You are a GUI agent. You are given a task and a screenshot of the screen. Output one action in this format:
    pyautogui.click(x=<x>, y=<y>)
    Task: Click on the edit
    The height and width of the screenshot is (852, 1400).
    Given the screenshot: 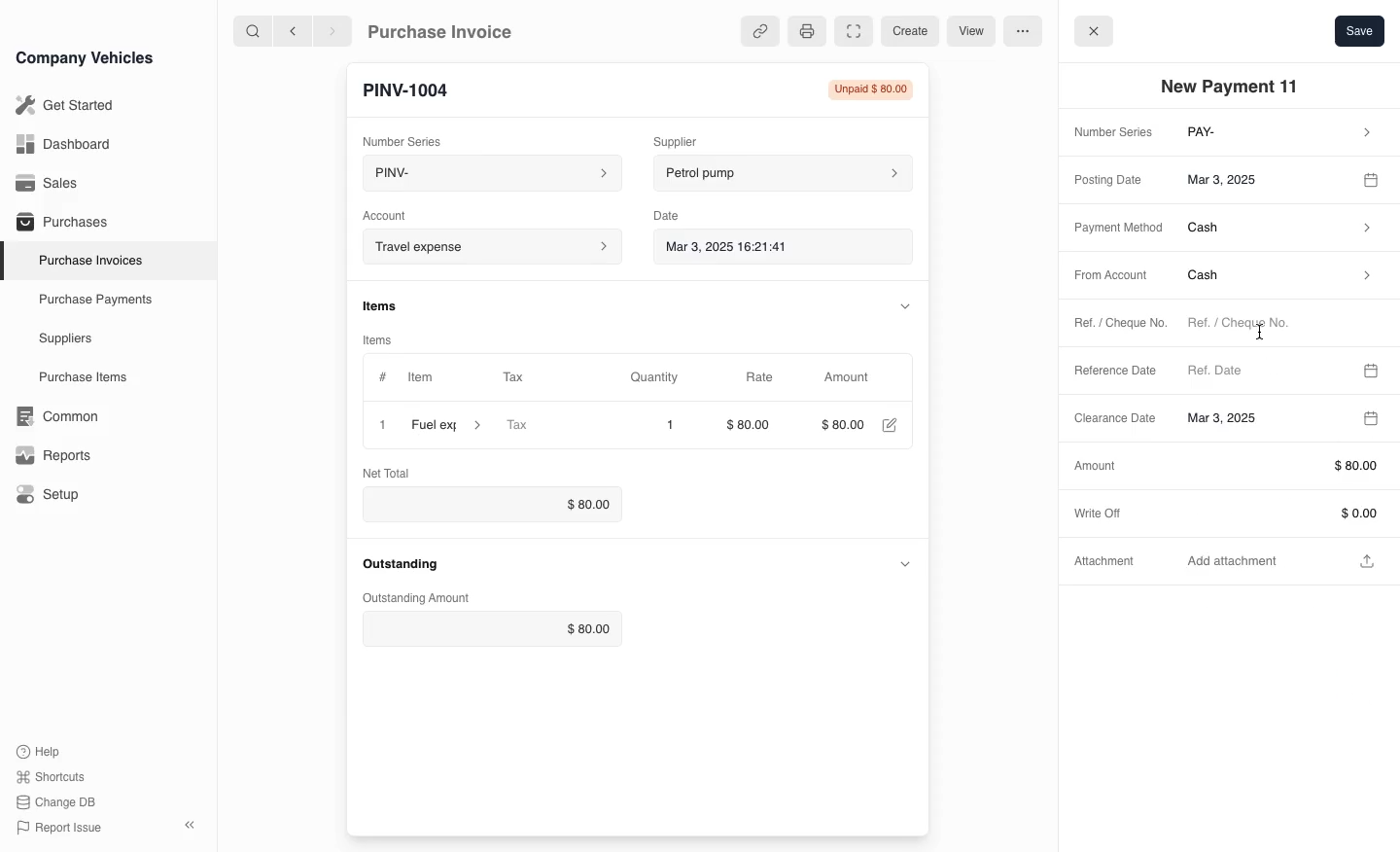 What is the action you would take?
    pyautogui.click(x=889, y=427)
    